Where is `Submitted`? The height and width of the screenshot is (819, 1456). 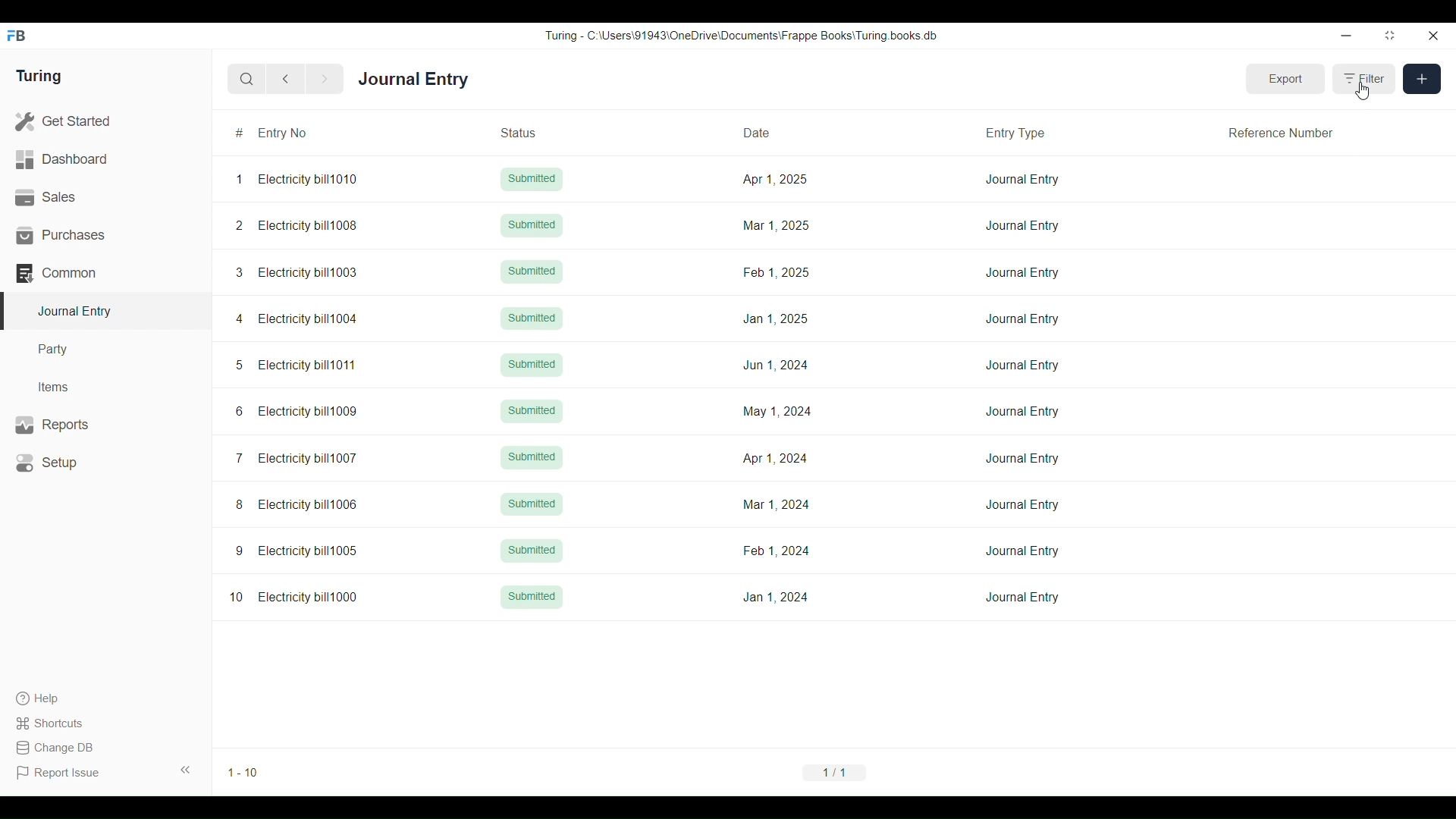 Submitted is located at coordinates (532, 457).